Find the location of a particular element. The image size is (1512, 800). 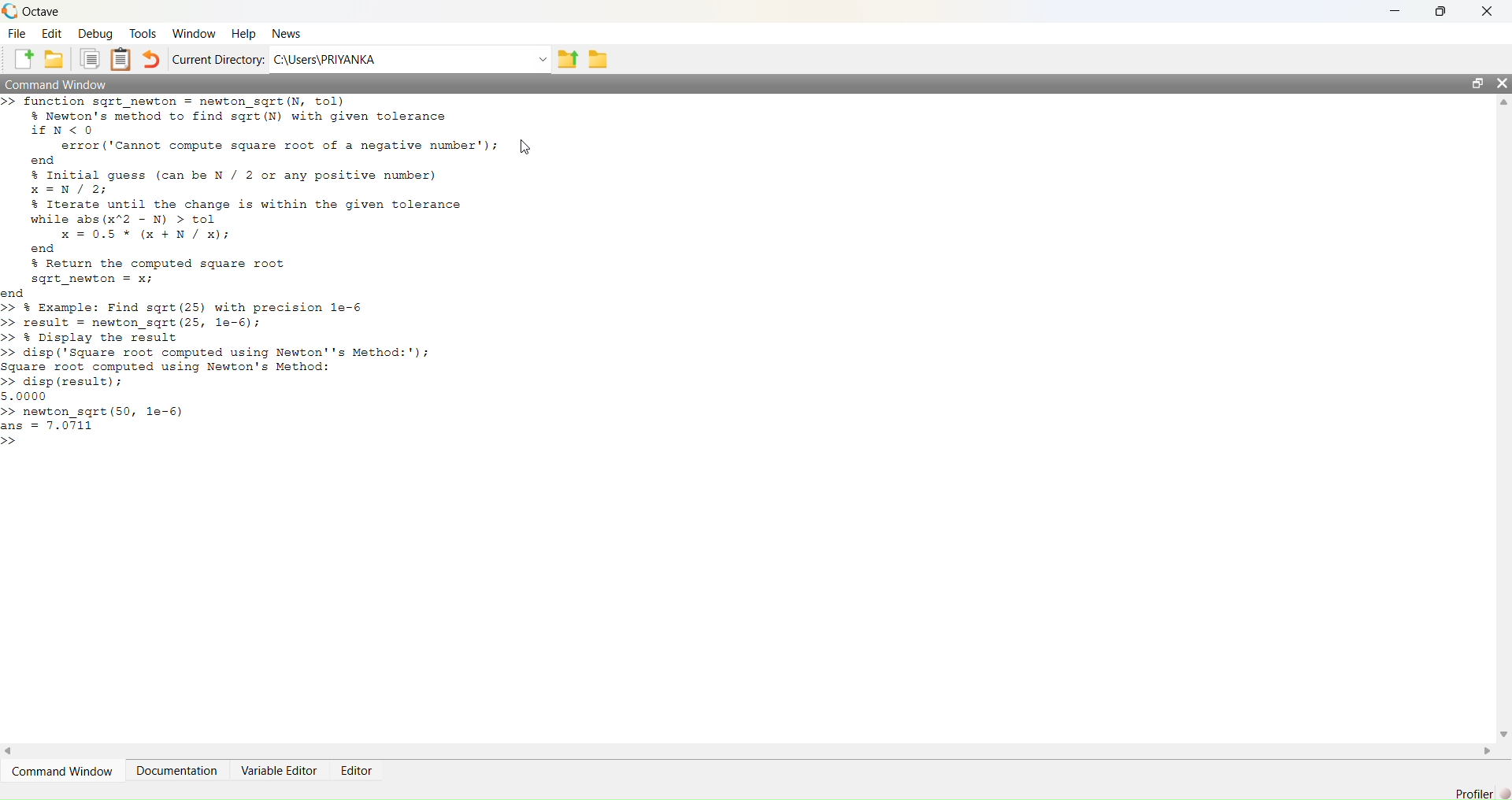

Right is located at coordinates (1490, 750).